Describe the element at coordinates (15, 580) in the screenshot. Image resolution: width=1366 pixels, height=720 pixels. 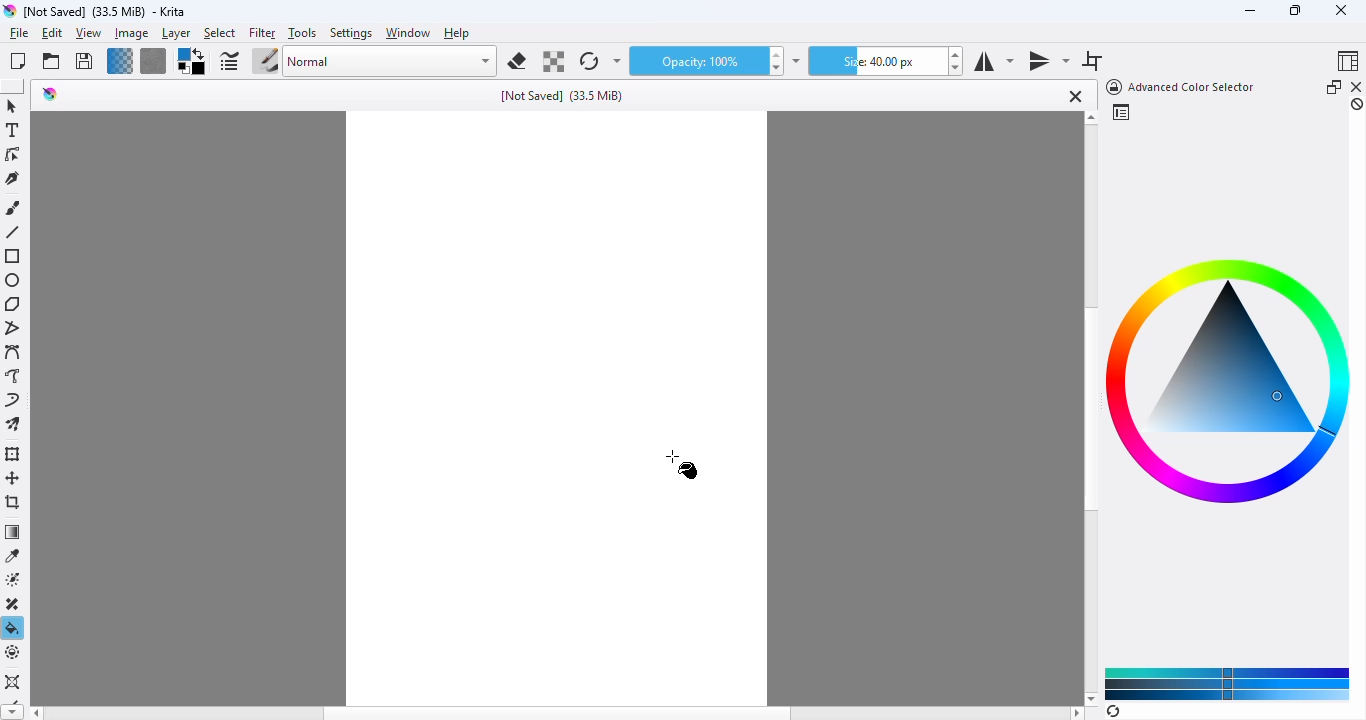
I see `colorize mask tool` at that location.